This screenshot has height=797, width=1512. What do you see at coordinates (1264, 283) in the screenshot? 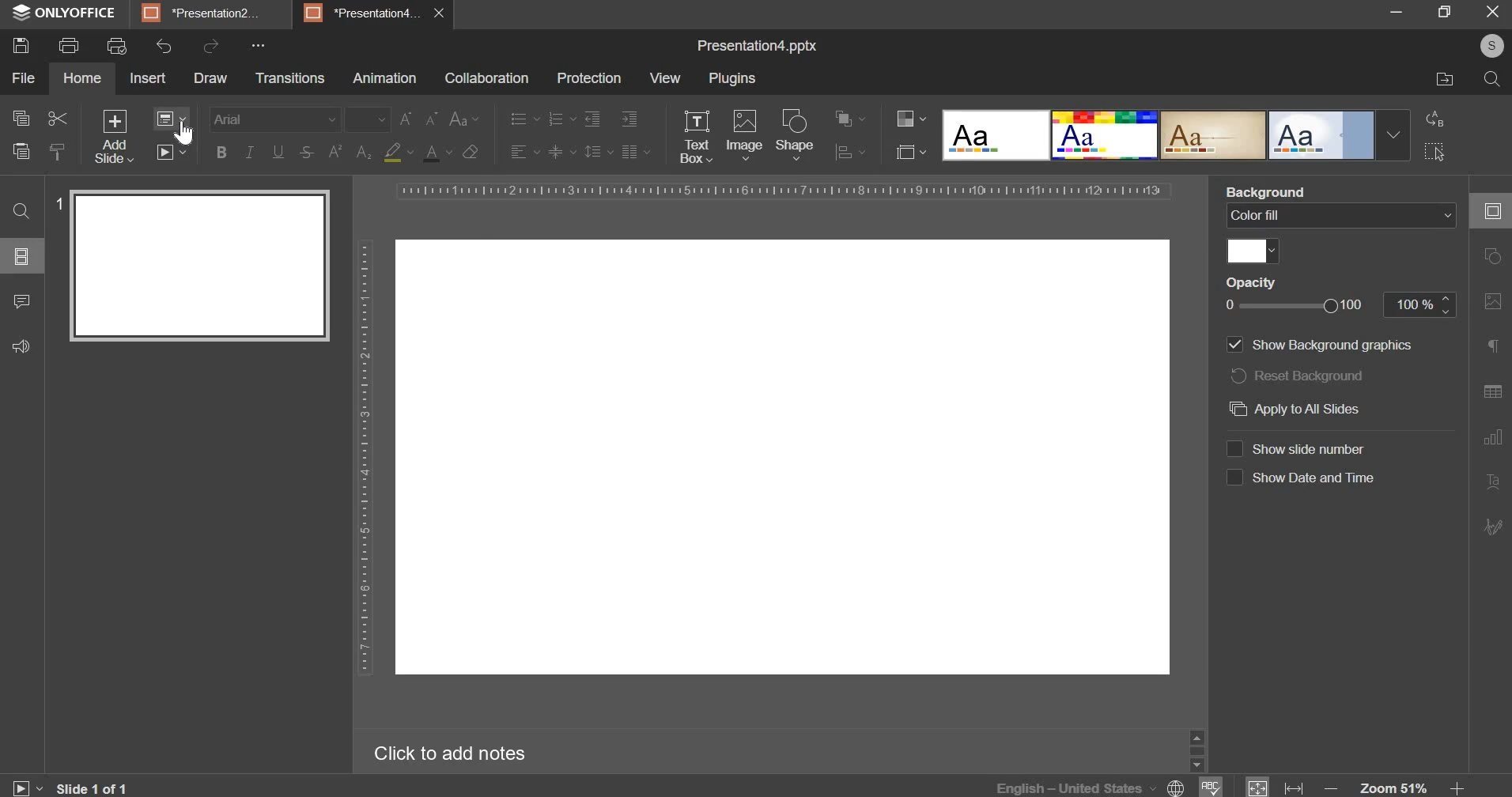
I see `opacity` at bounding box center [1264, 283].